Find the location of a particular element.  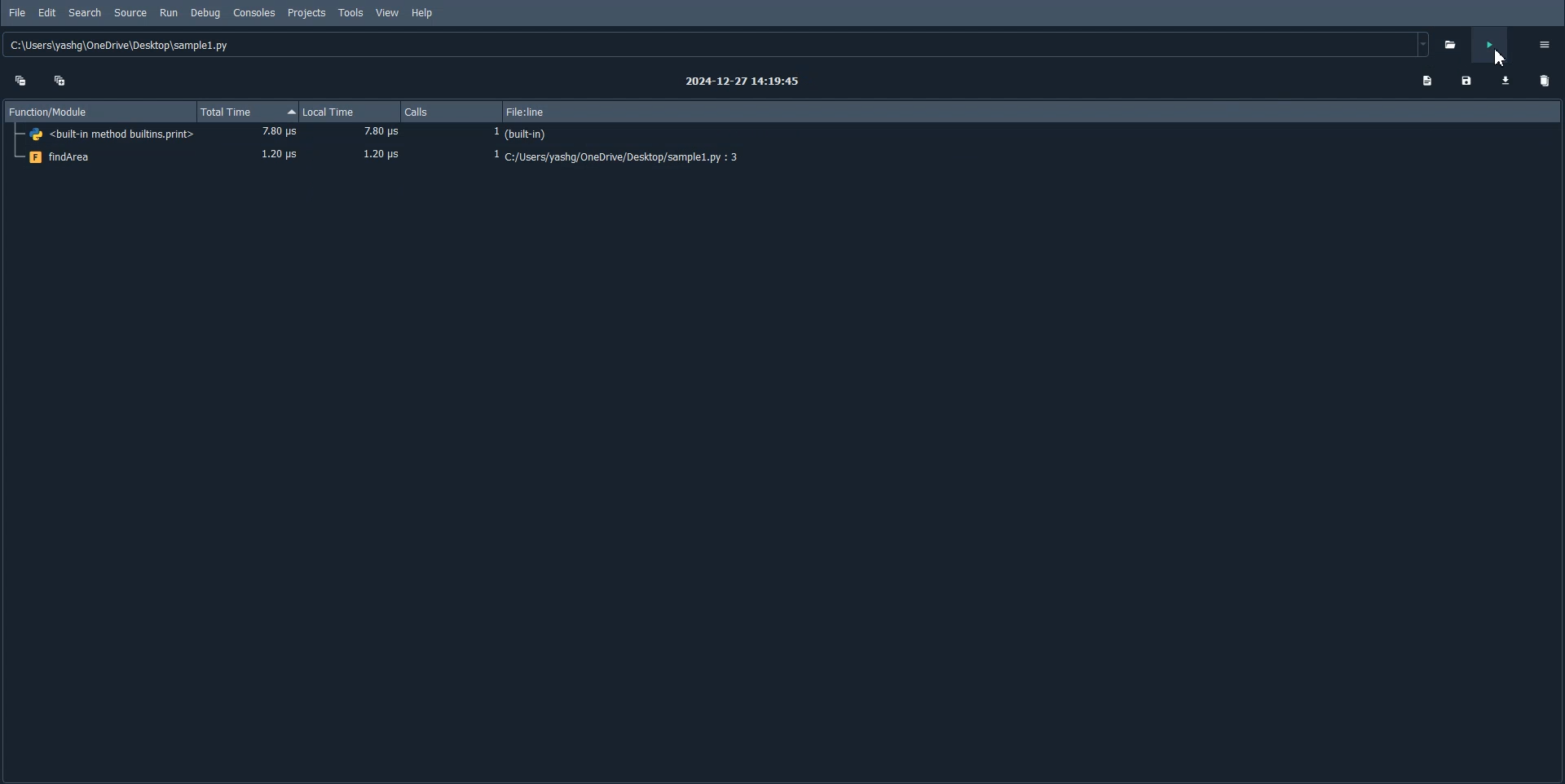

Select python file is located at coordinates (1453, 44).